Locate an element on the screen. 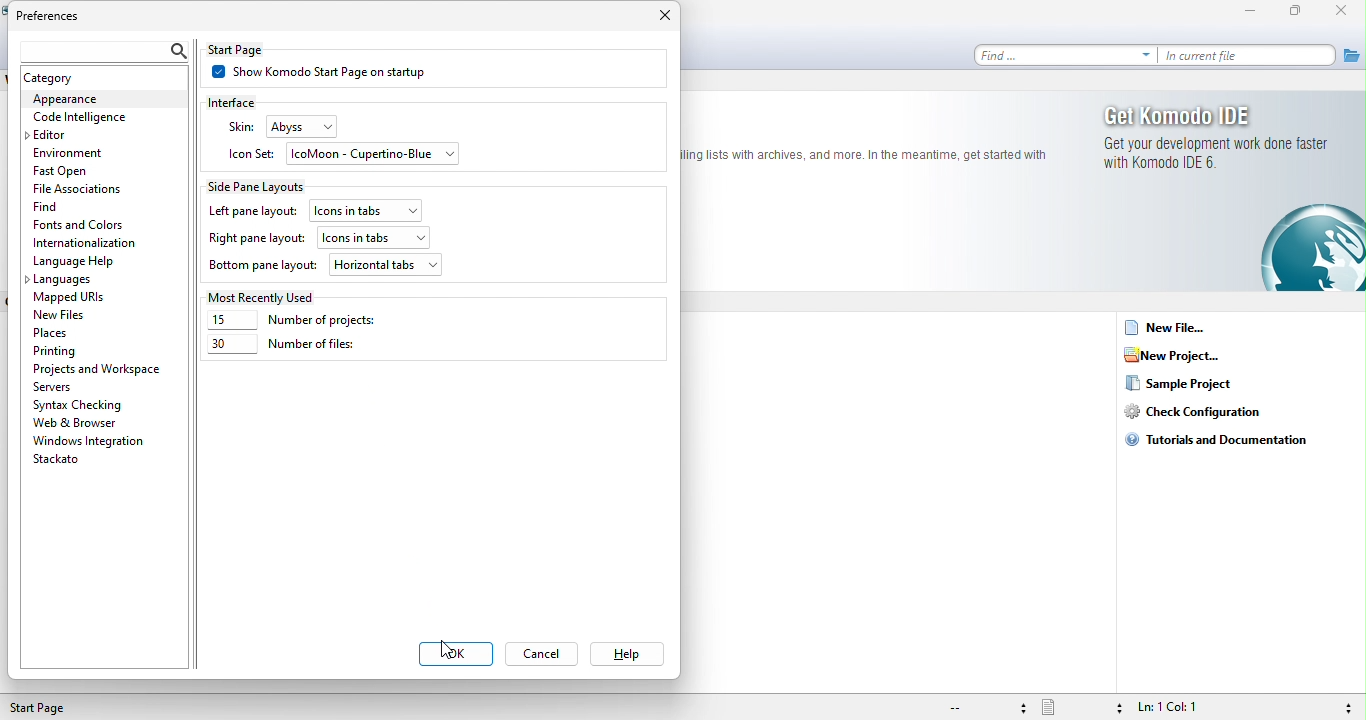 This screenshot has height=720, width=1366. language help is located at coordinates (76, 262).